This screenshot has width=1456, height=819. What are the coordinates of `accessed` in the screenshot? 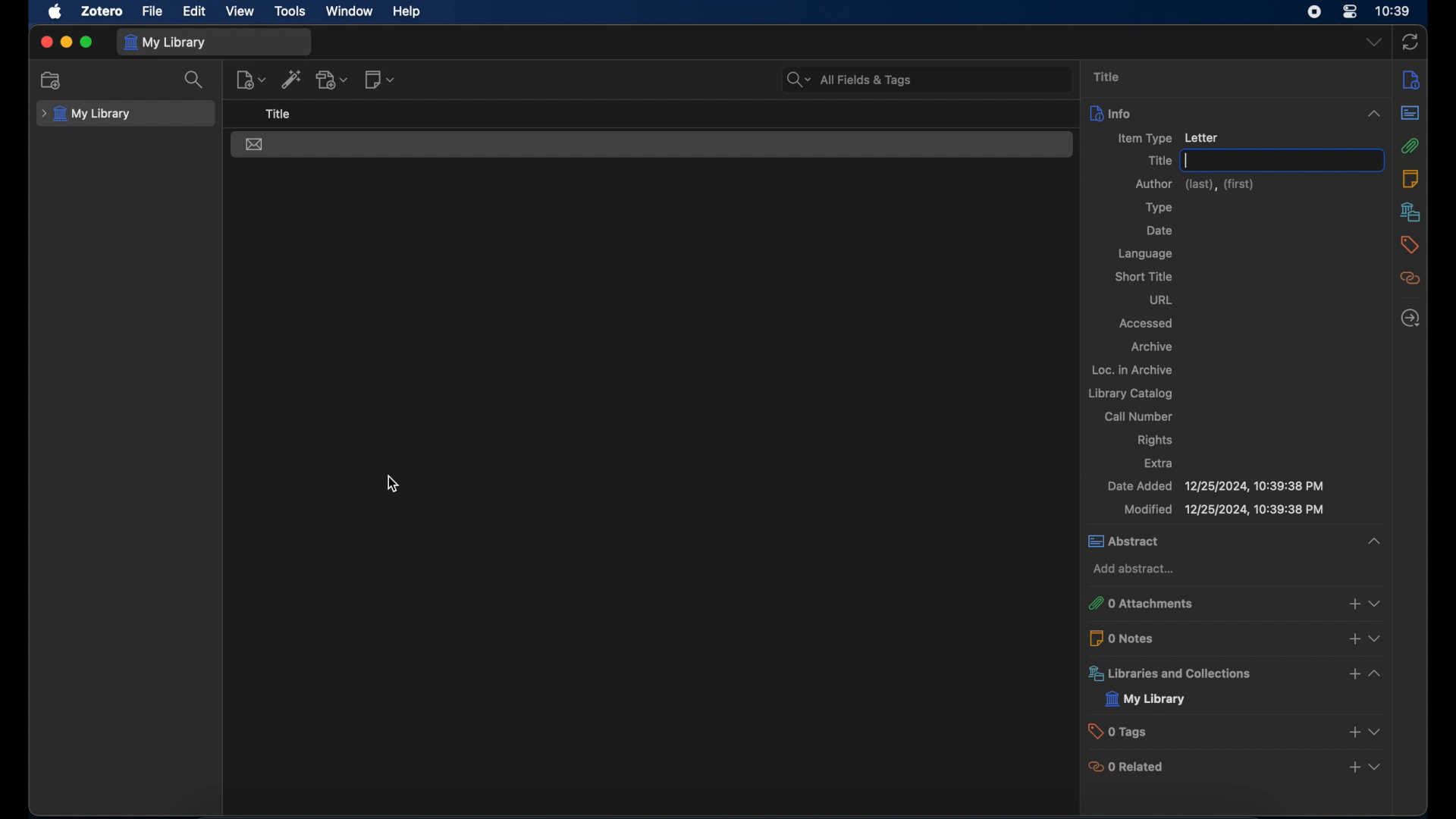 It's located at (1148, 323).